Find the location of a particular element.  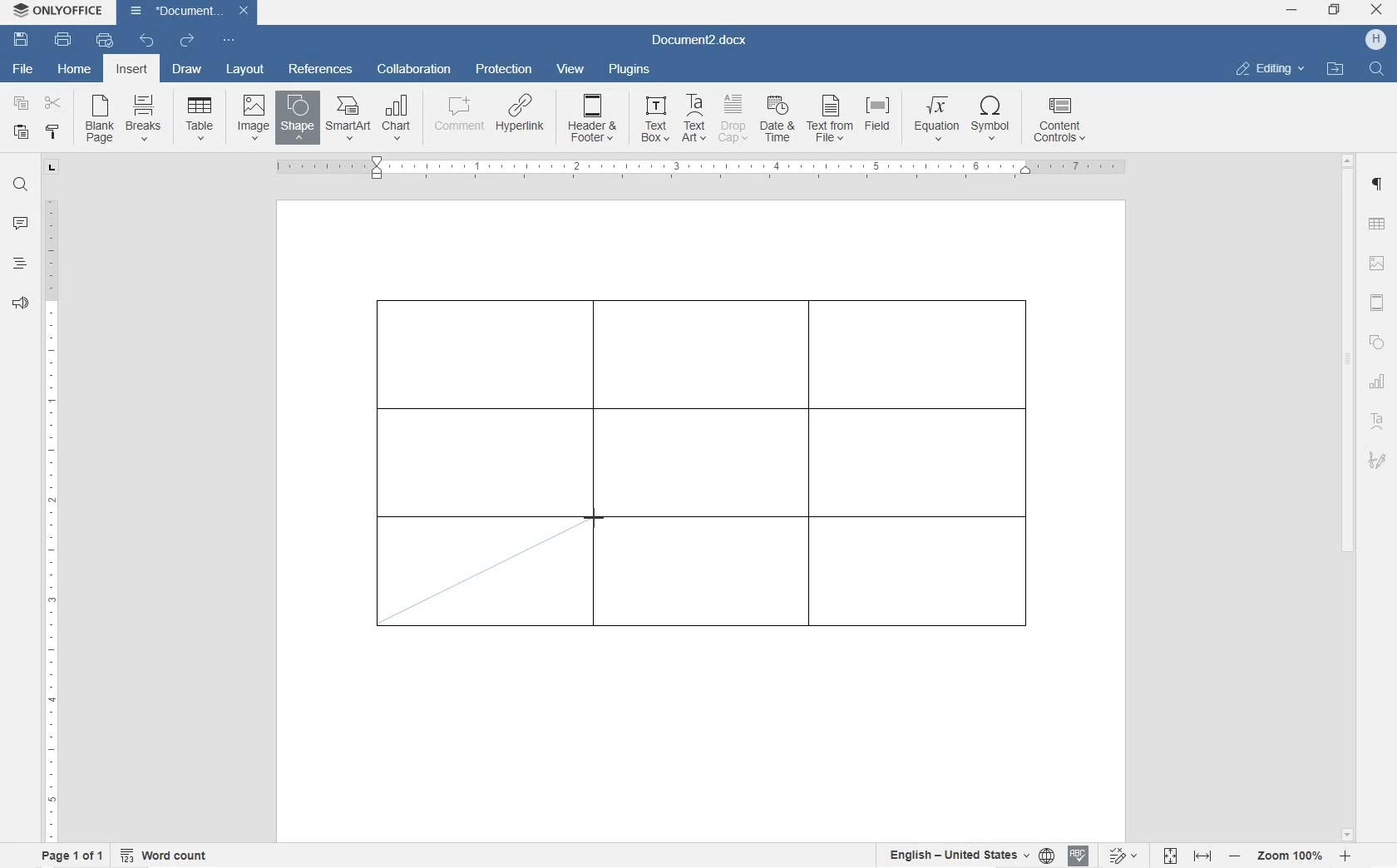

EDITING is located at coordinates (1271, 68).